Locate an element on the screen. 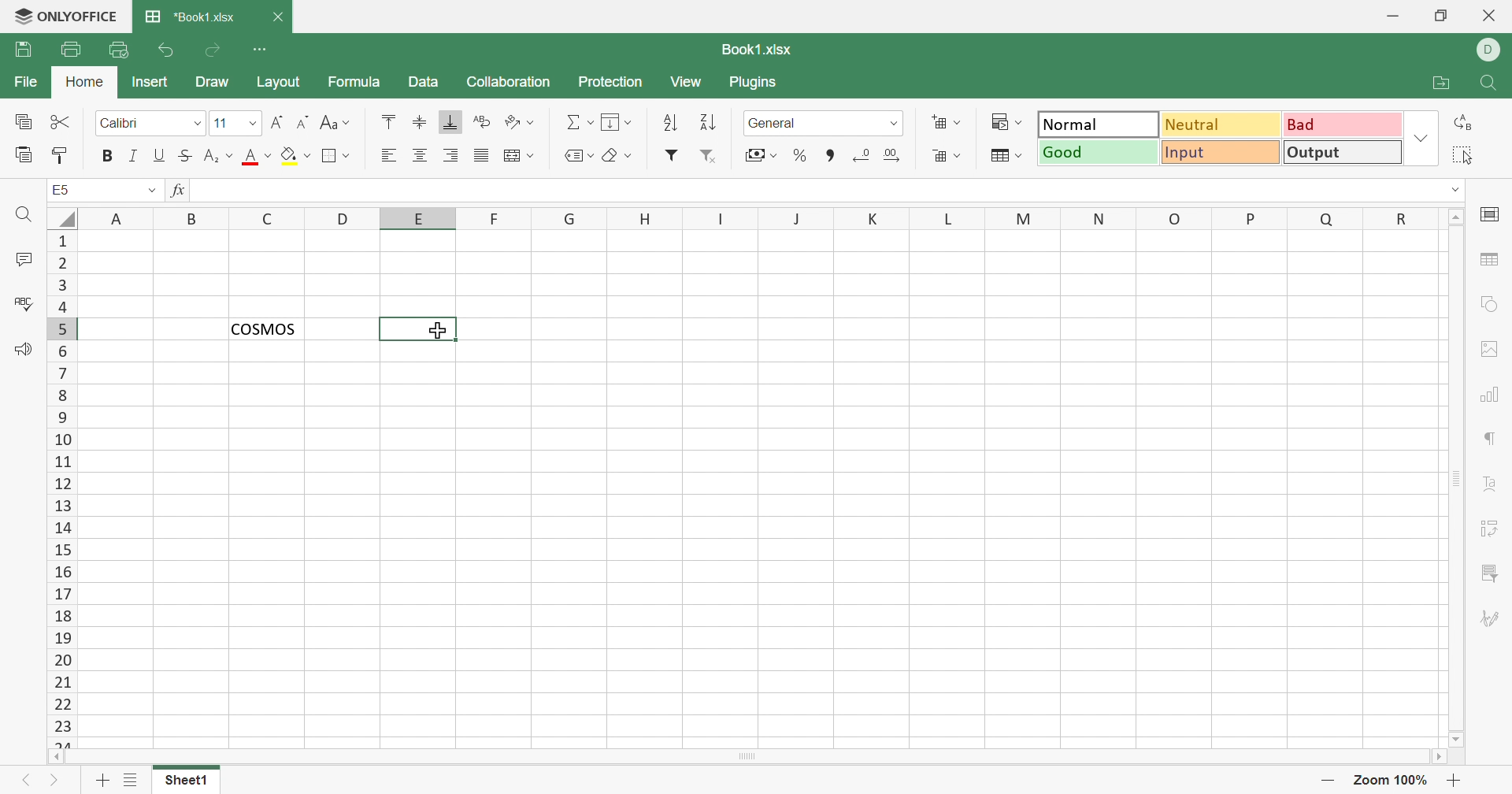 This screenshot has height=794, width=1512. File is located at coordinates (27, 82).